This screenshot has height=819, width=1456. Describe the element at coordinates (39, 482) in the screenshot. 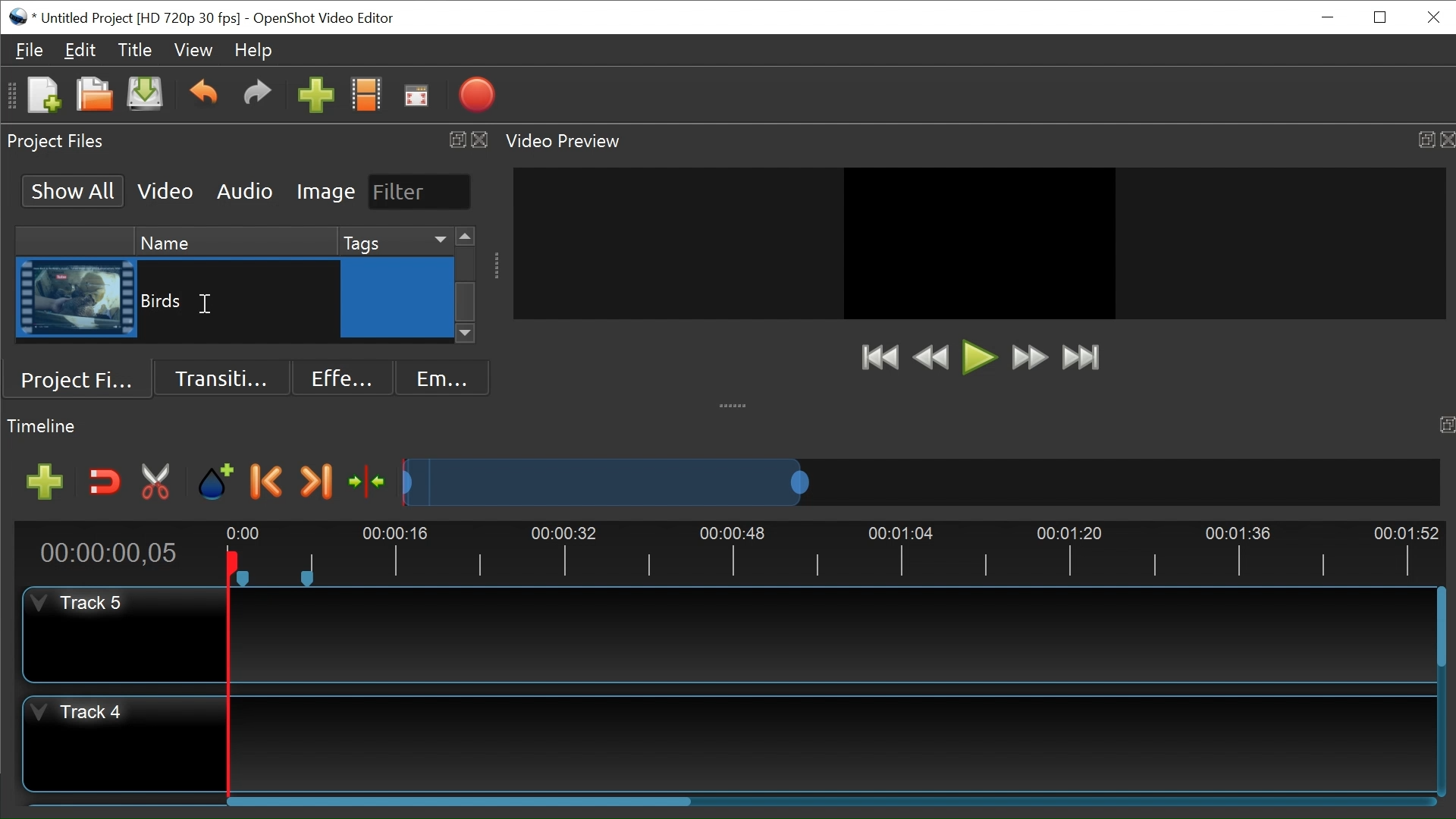

I see `Add Track` at that location.